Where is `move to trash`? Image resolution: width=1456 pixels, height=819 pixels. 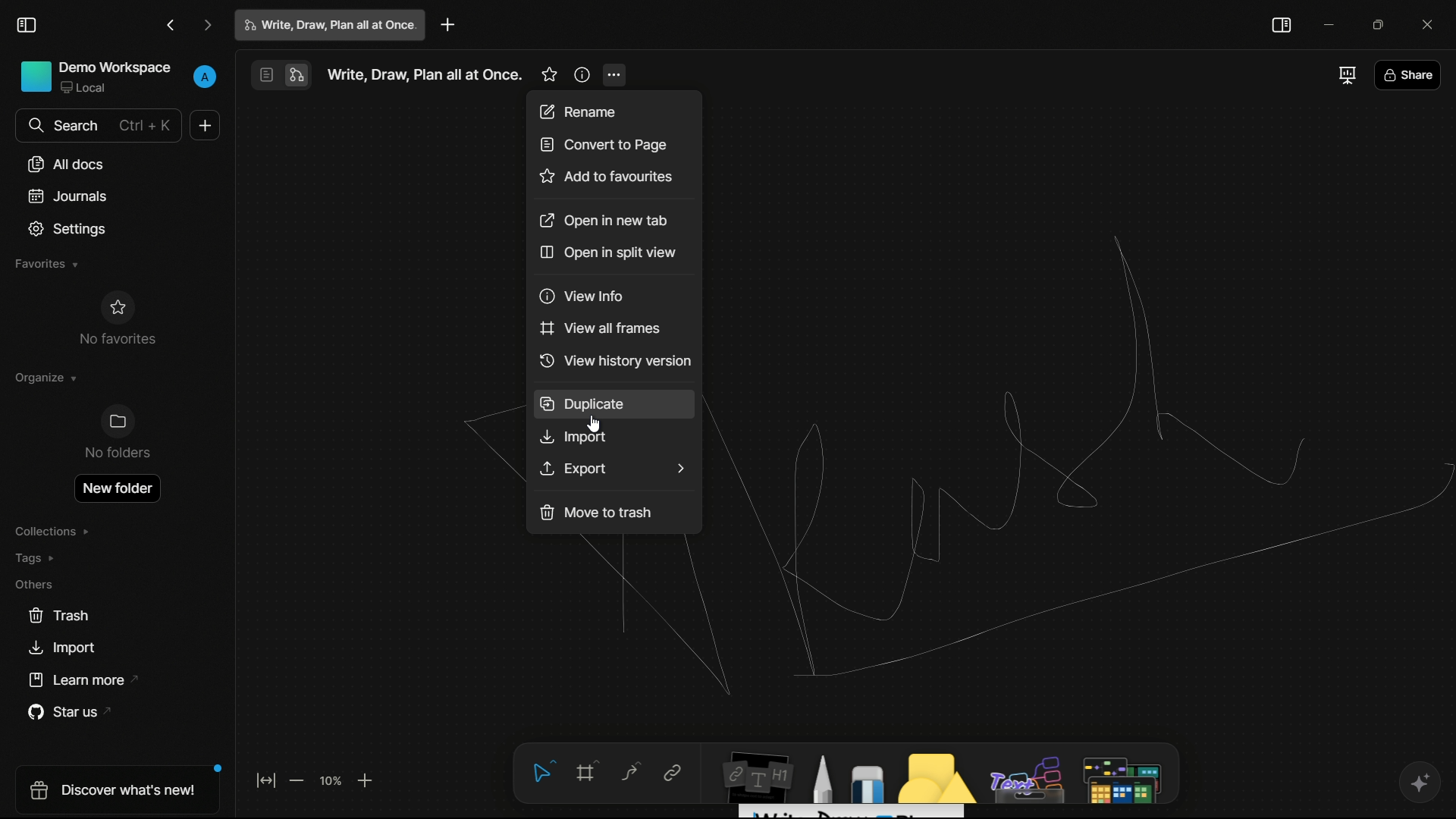
move to trash is located at coordinates (597, 511).